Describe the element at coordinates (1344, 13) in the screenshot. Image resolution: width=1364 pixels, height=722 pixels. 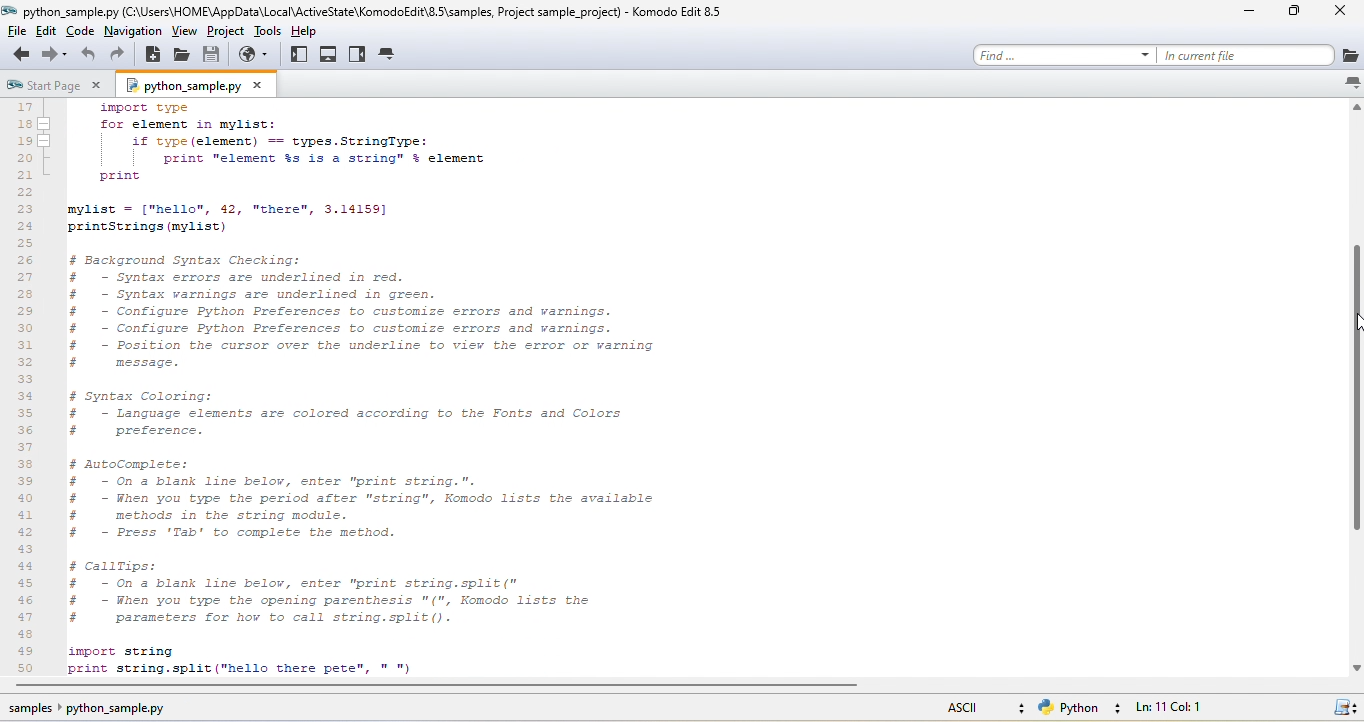
I see `close` at that location.